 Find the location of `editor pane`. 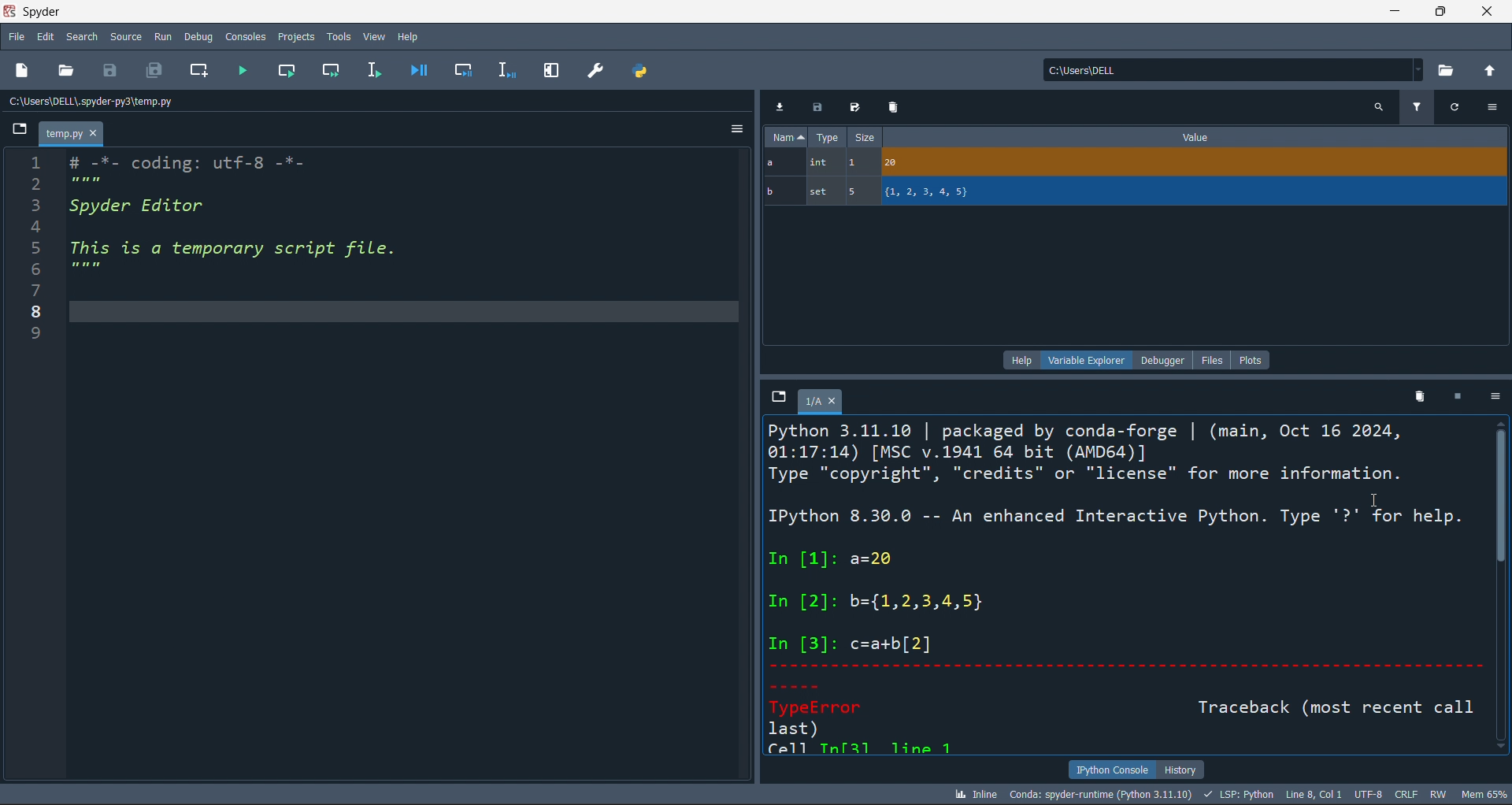

editor pane is located at coordinates (404, 466).